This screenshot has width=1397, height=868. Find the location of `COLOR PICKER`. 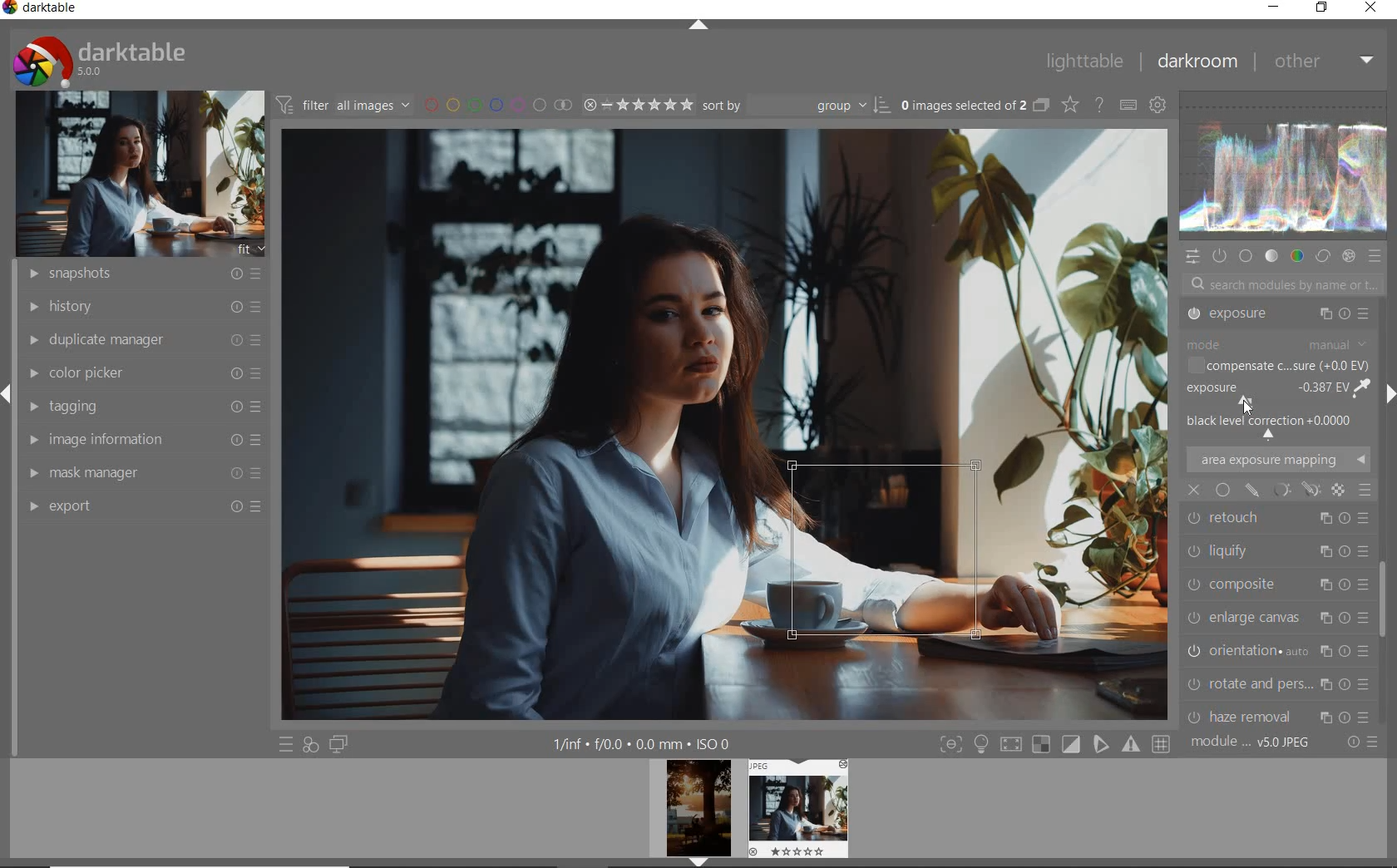

COLOR PICKER is located at coordinates (146, 370).